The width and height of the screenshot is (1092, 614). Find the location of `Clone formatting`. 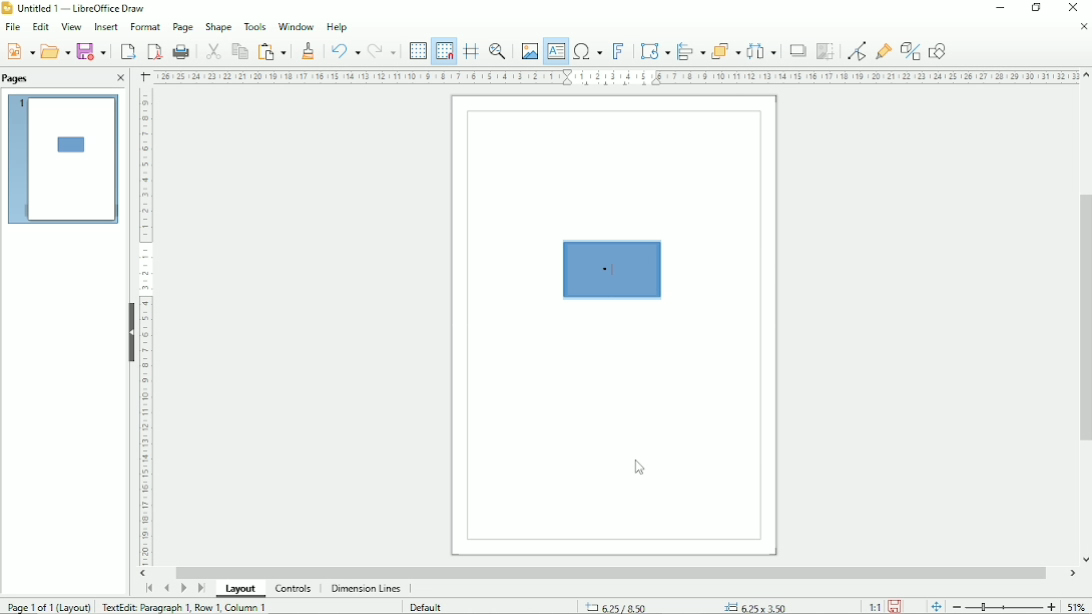

Clone formatting is located at coordinates (310, 50).